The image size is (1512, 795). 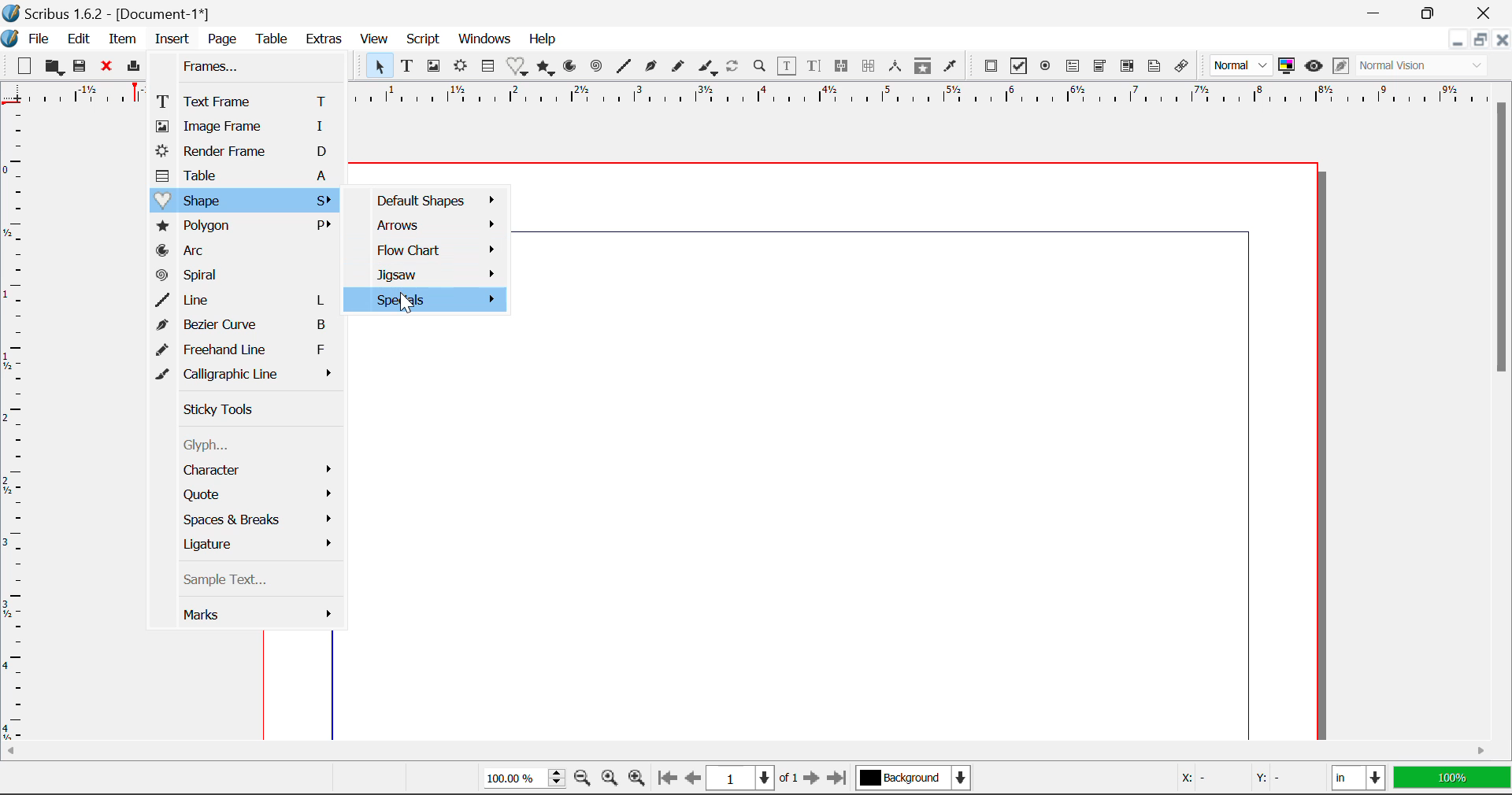 What do you see at coordinates (813, 779) in the screenshot?
I see `Next` at bounding box center [813, 779].